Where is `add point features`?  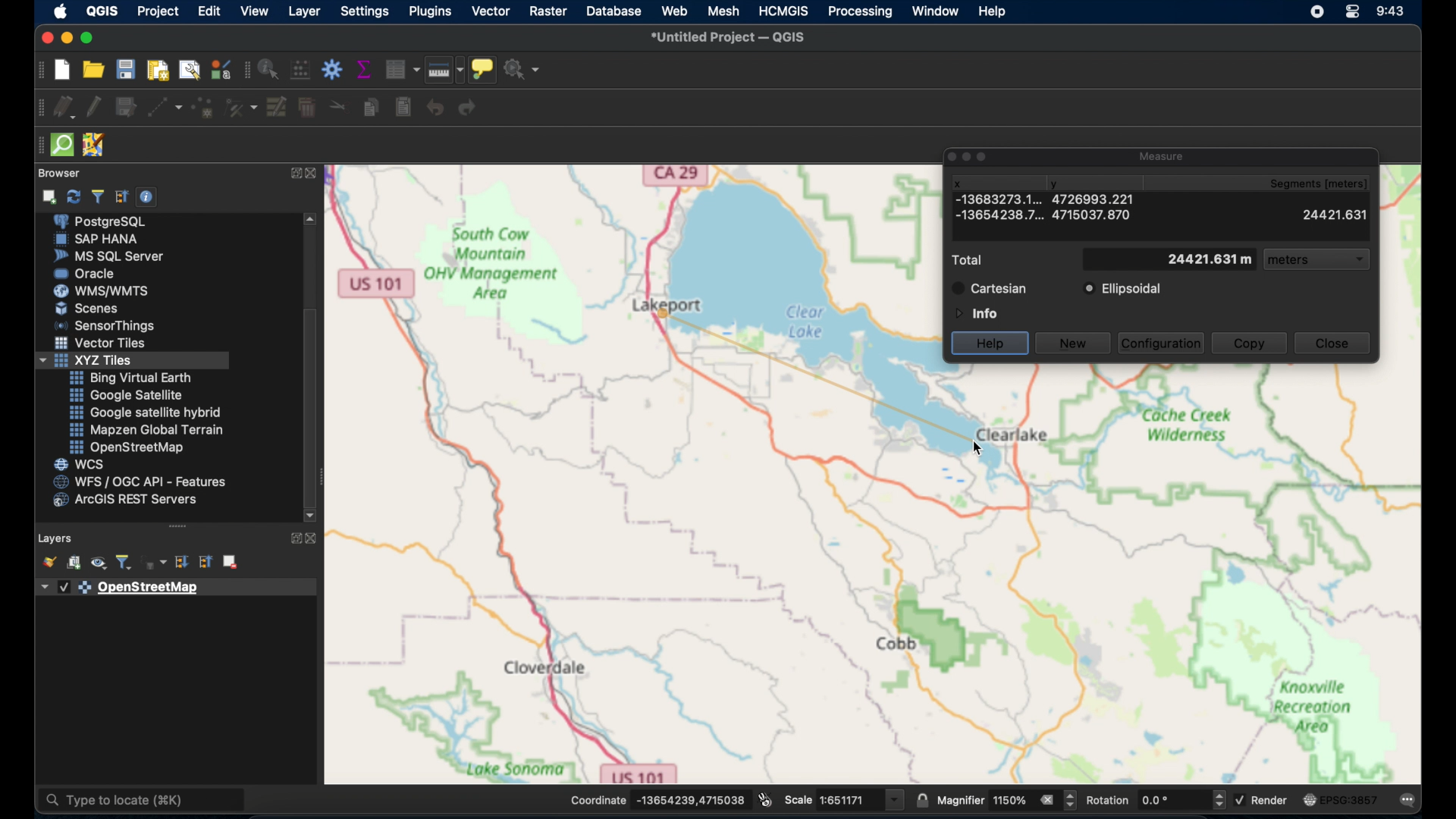 add point features is located at coordinates (203, 108).